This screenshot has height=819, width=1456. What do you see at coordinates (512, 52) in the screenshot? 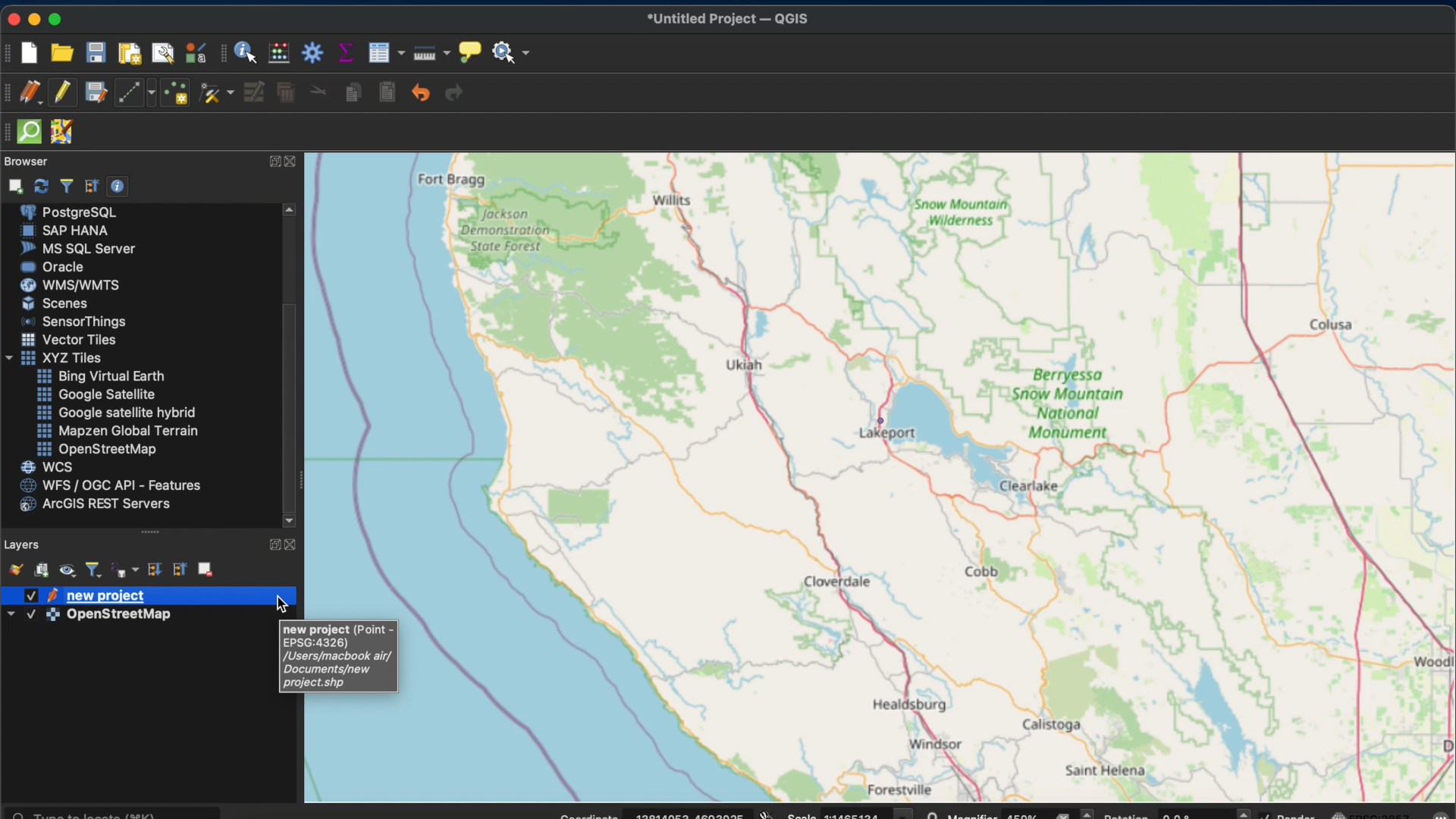
I see `no action selected` at bounding box center [512, 52].